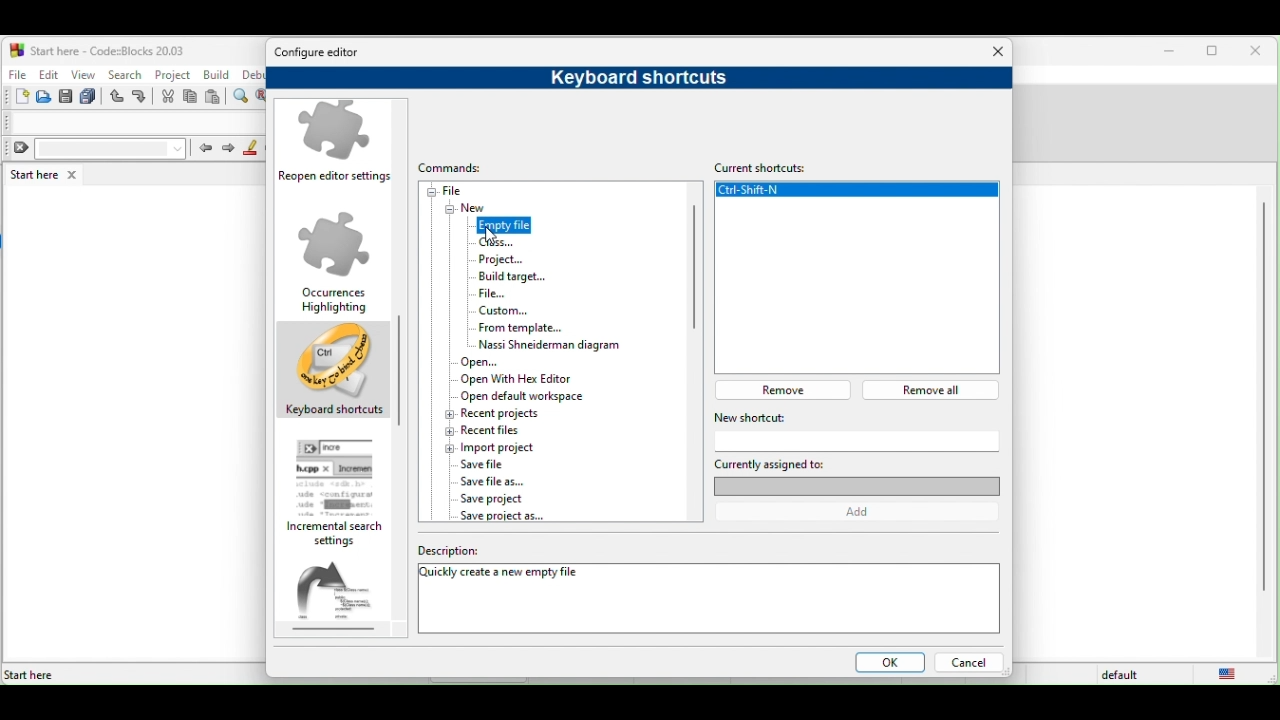 This screenshot has width=1280, height=720. I want to click on united state, so click(1232, 674).